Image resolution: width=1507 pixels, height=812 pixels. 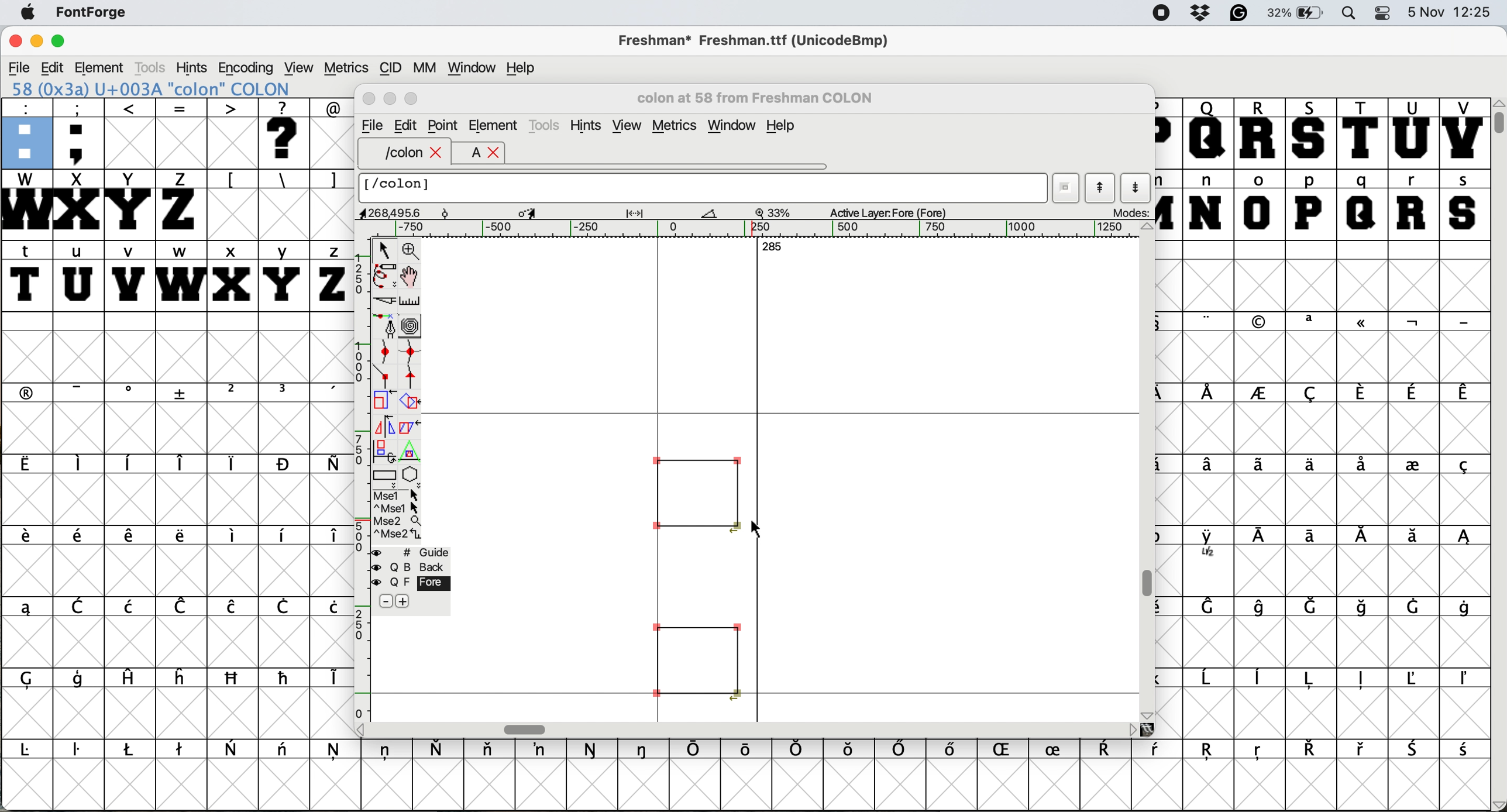 I want to click on symbol, so click(x=1363, y=749).